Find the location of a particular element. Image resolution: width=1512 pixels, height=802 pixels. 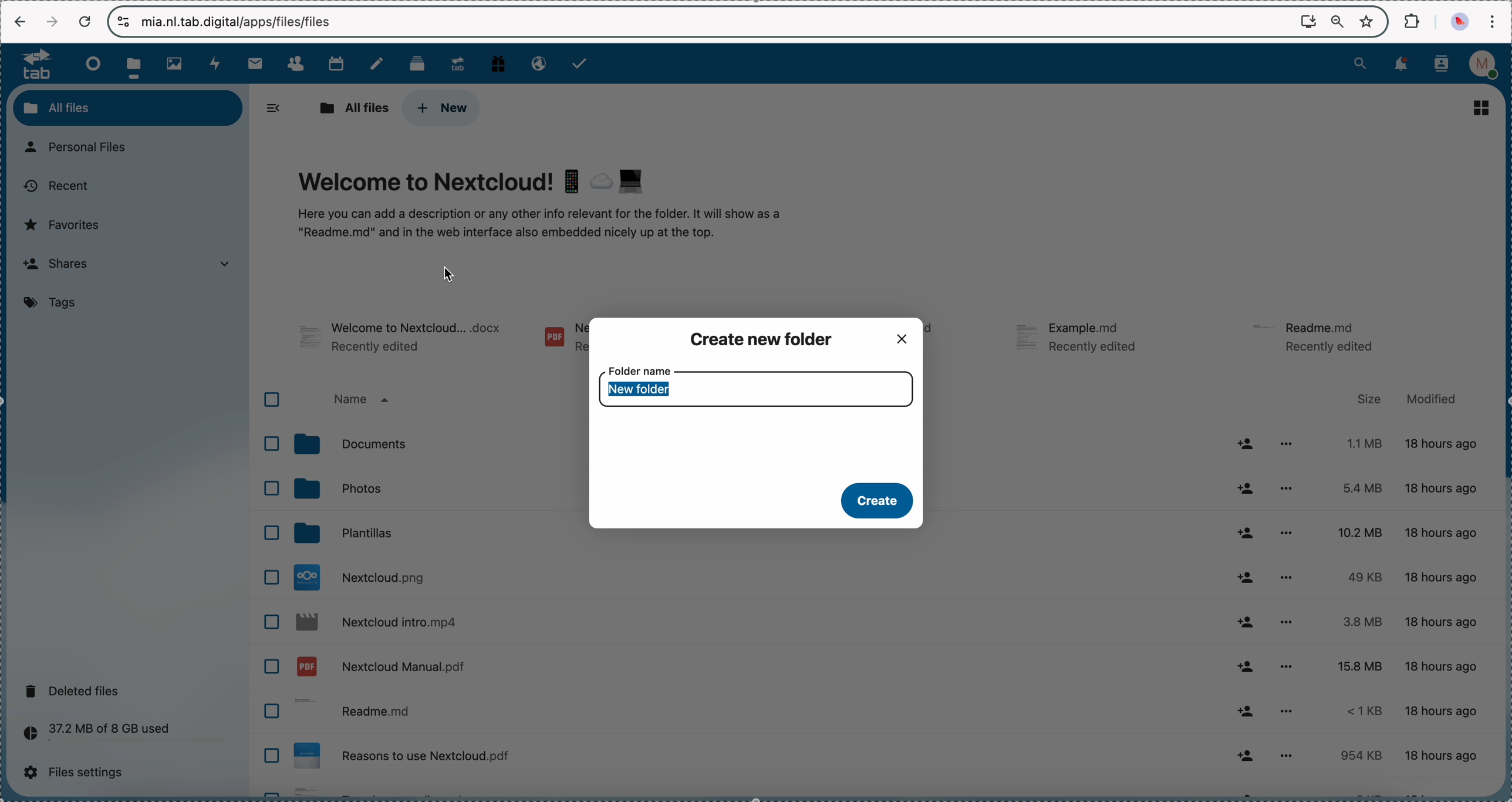

all files is located at coordinates (351, 108).